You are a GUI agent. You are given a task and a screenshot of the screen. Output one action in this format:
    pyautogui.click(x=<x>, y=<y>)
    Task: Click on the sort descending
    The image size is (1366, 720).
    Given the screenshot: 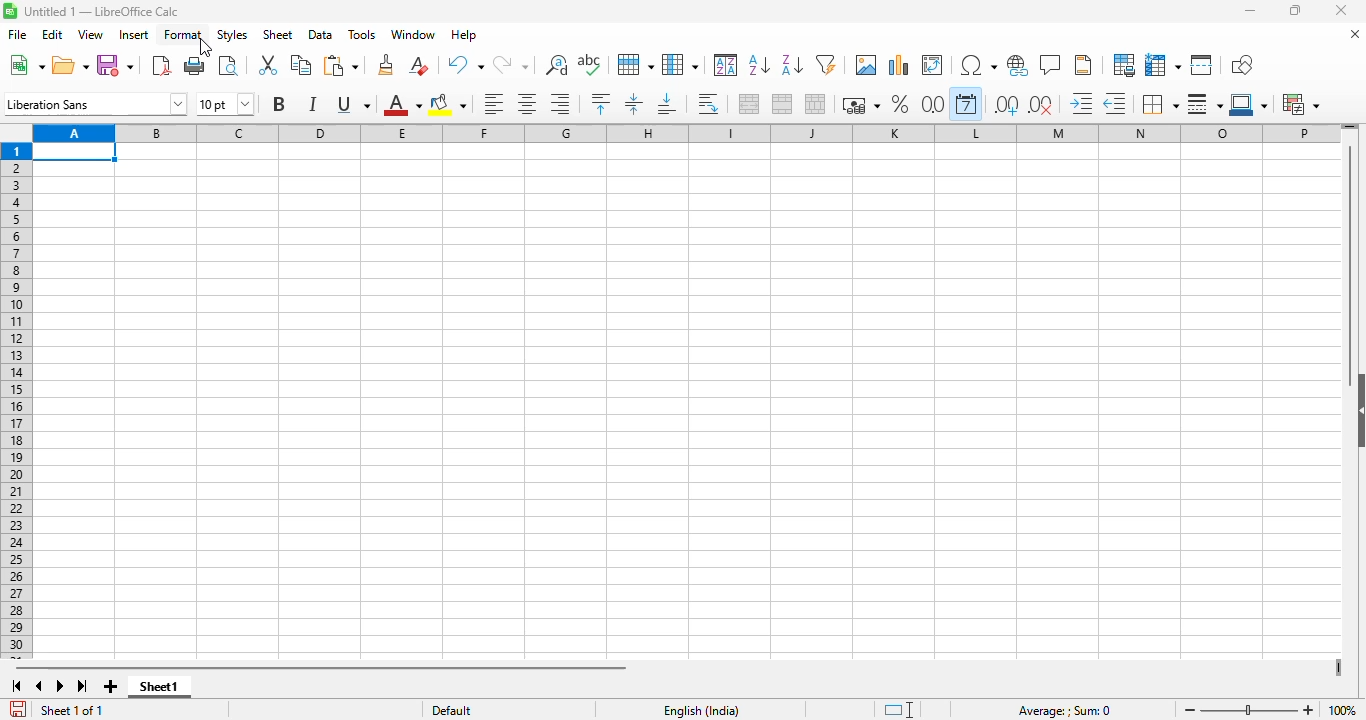 What is the action you would take?
    pyautogui.click(x=792, y=65)
    